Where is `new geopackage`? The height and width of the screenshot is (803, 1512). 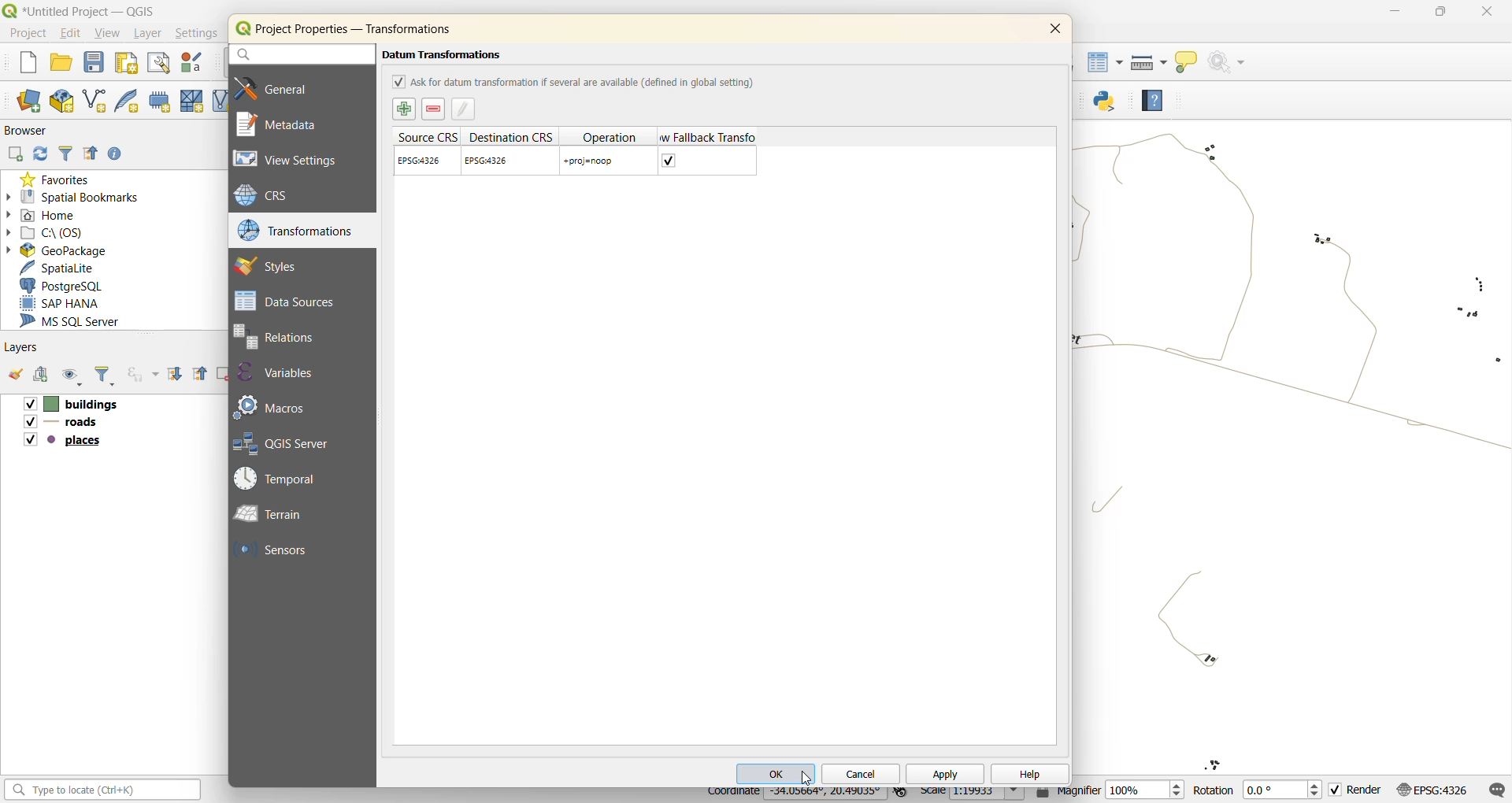
new geopackage is located at coordinates (61, 99).